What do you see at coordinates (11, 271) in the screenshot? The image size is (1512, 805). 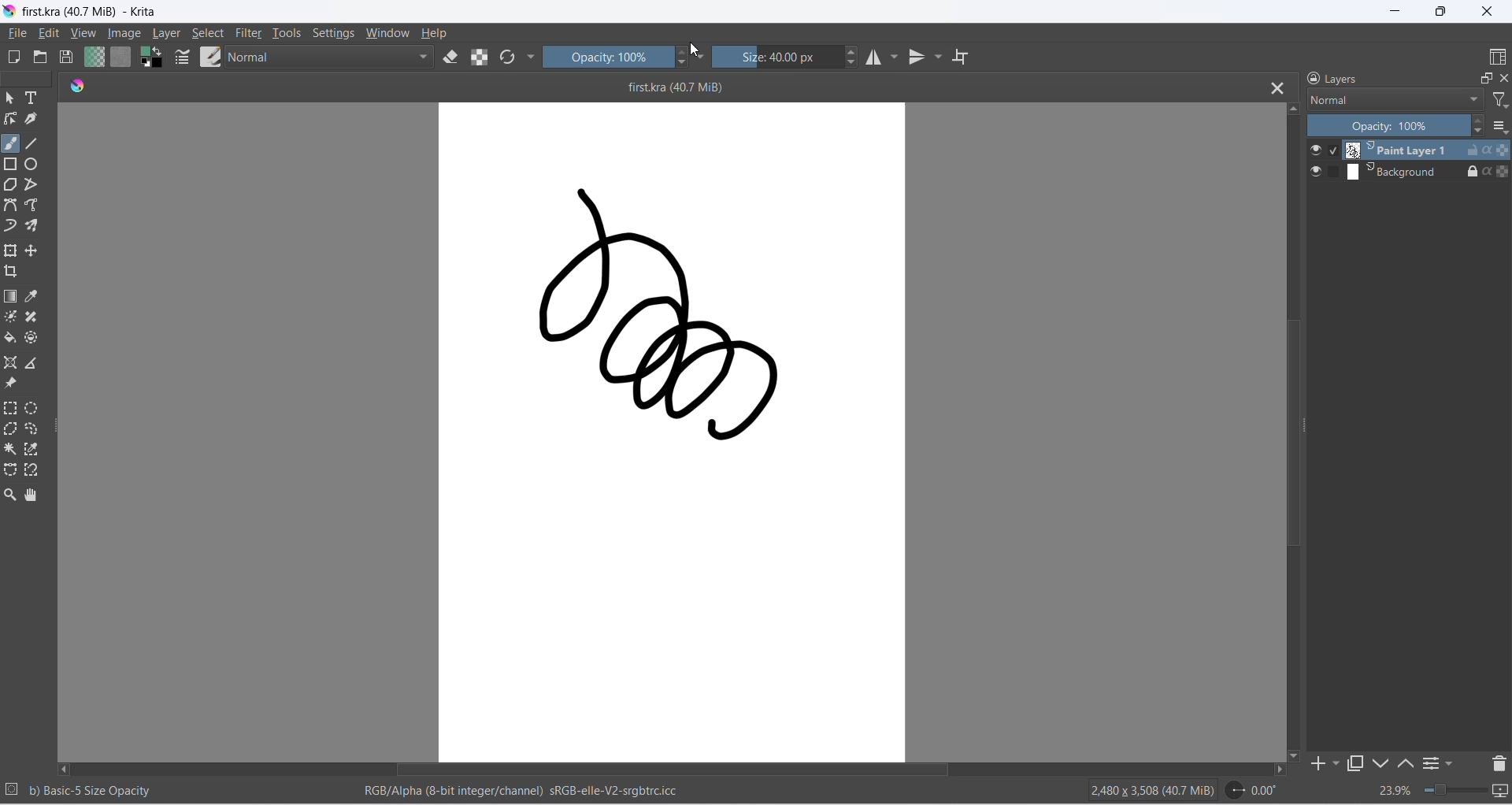 I see `crop image` at bounding box center [11, 271].